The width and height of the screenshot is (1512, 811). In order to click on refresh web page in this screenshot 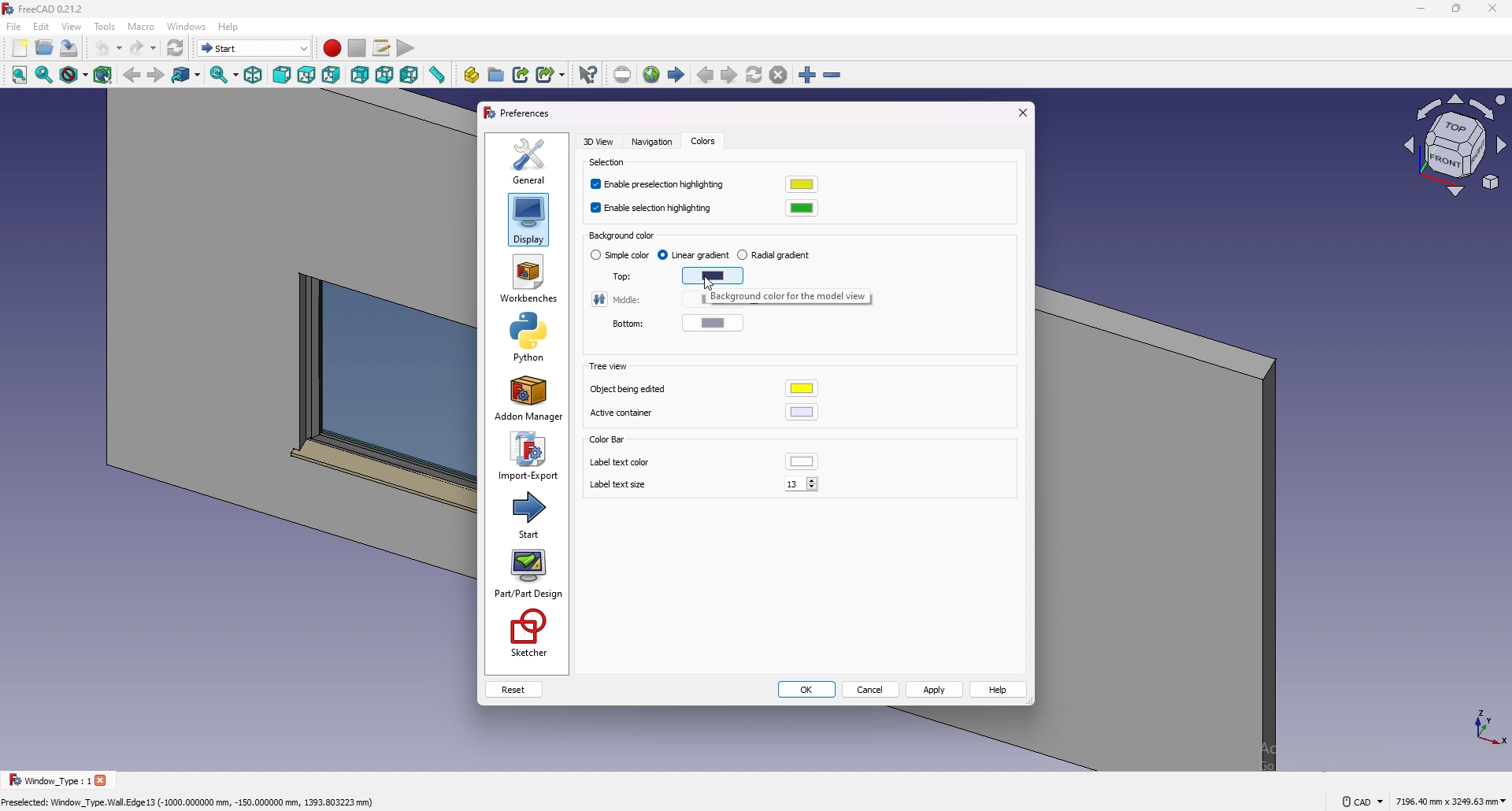, I will do `click(755, 75)`.